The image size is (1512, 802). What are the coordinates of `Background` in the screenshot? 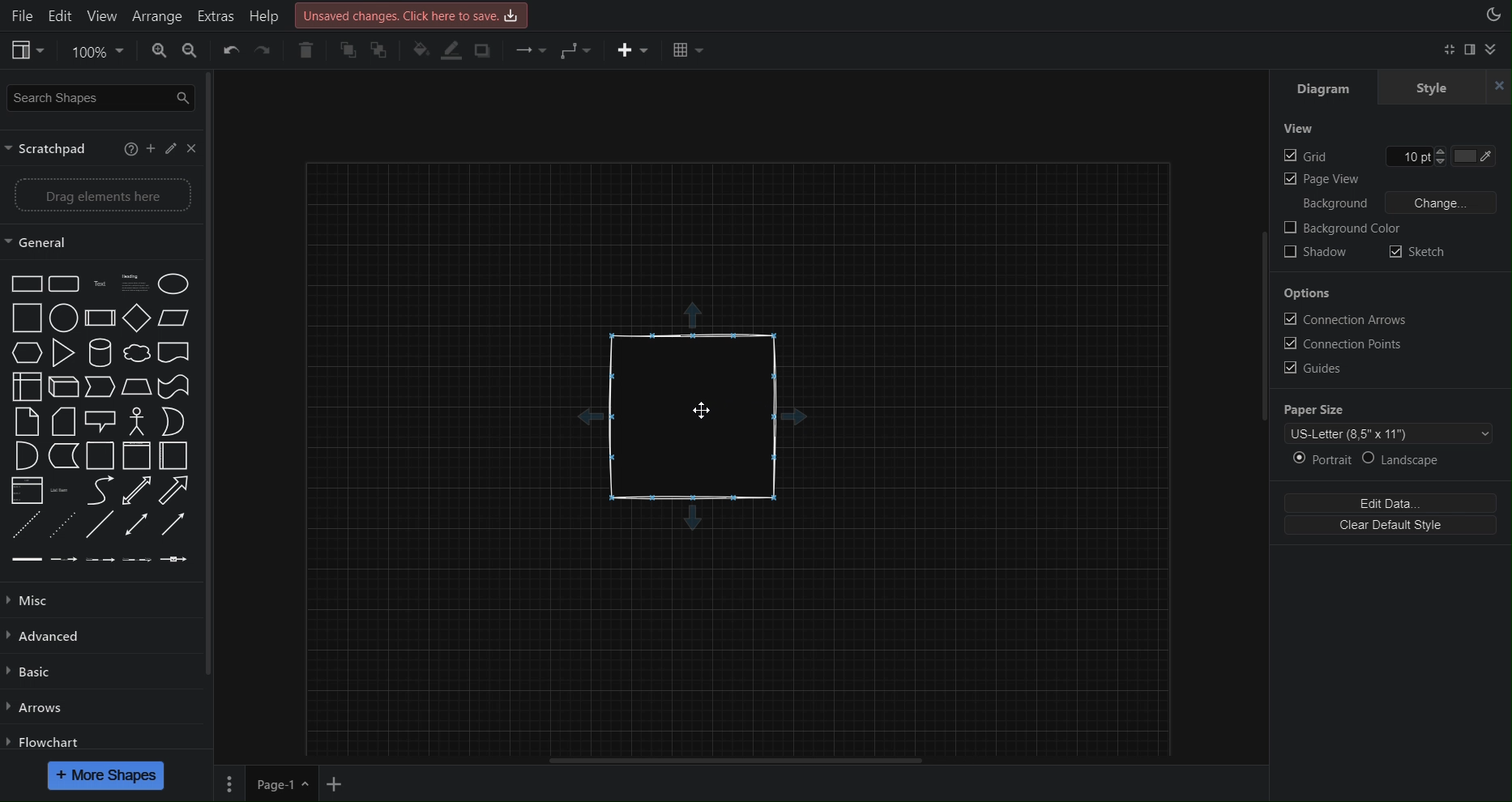 It's located at (1335, 203).